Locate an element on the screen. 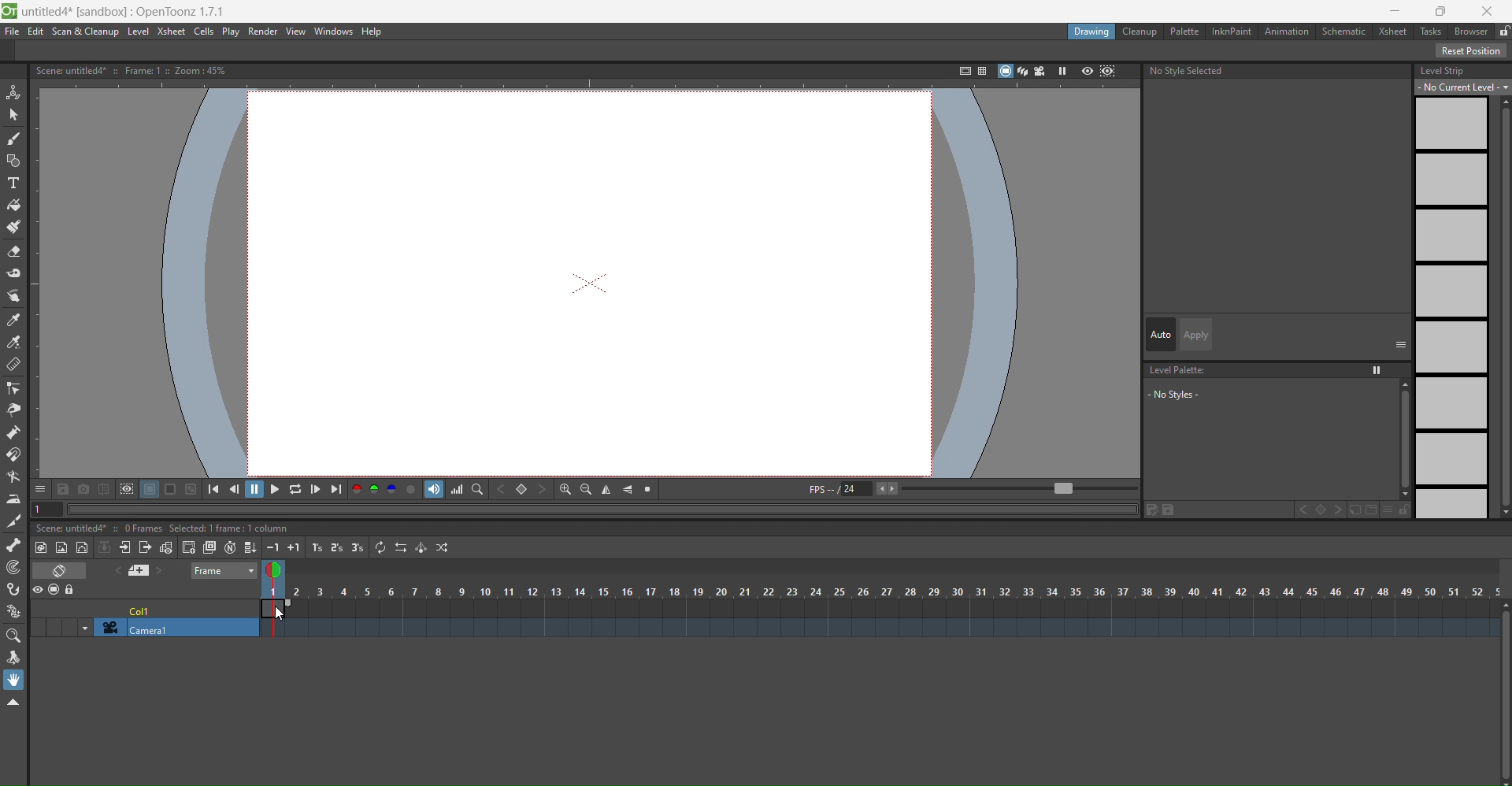 This screenshot has height=786, width=1512. RGB channel is located at coordinates (374, 489).